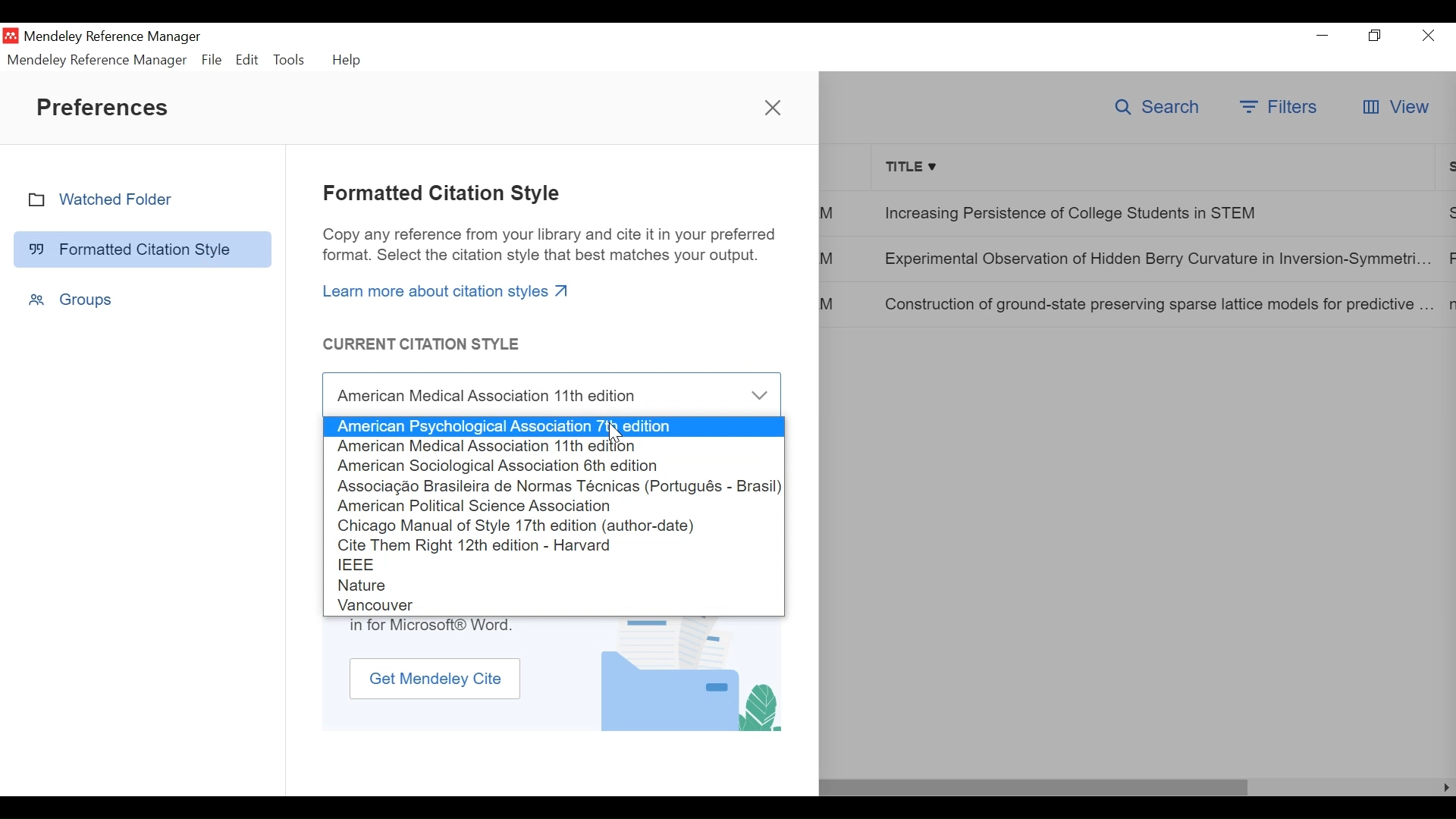  Describe the element at coordinates (143, 199) in the screenshot. I see `Watched Folder` at that location.